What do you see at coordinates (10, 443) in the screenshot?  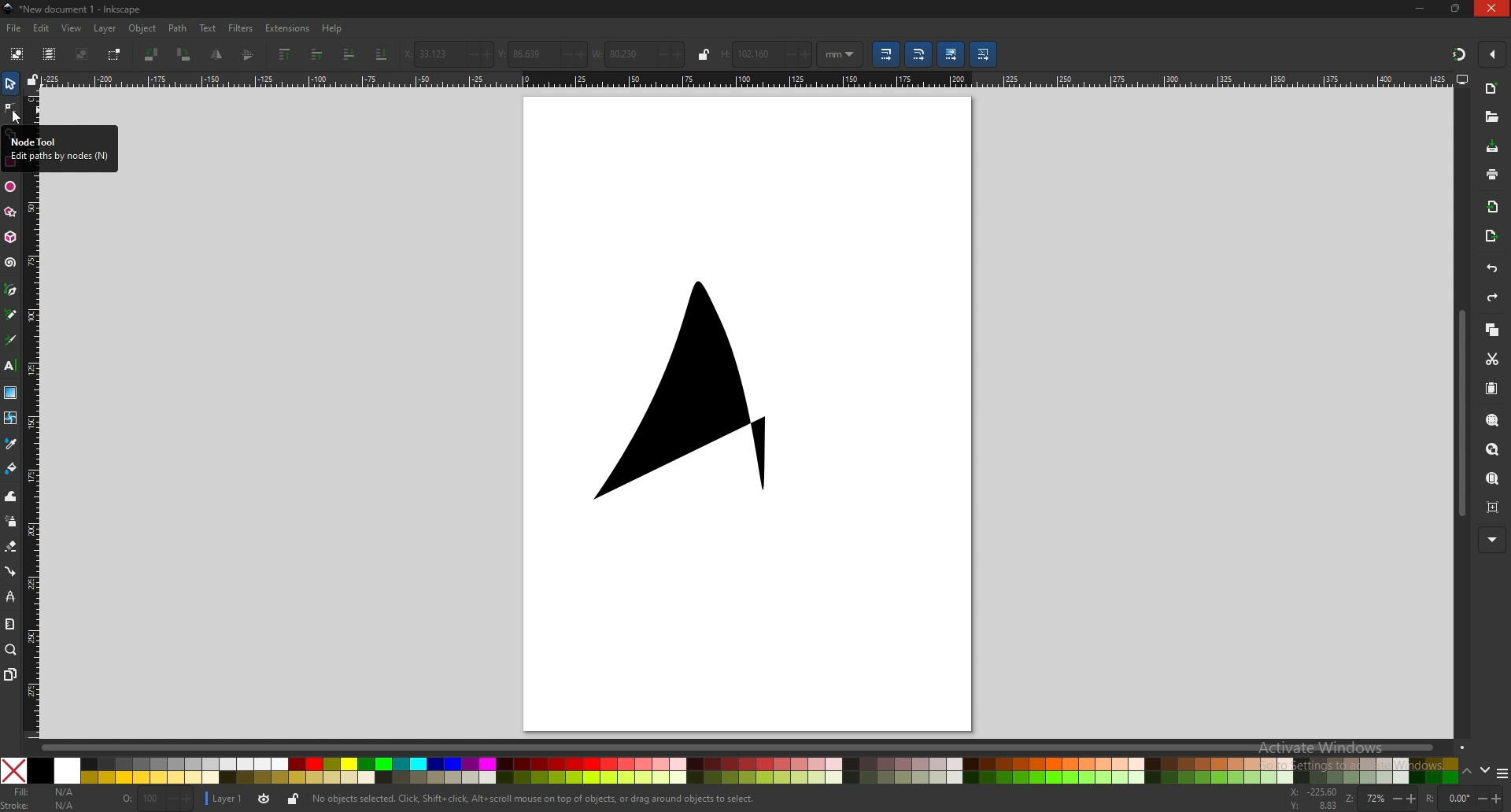 I see `dropper` at bounding box center [10, 443].